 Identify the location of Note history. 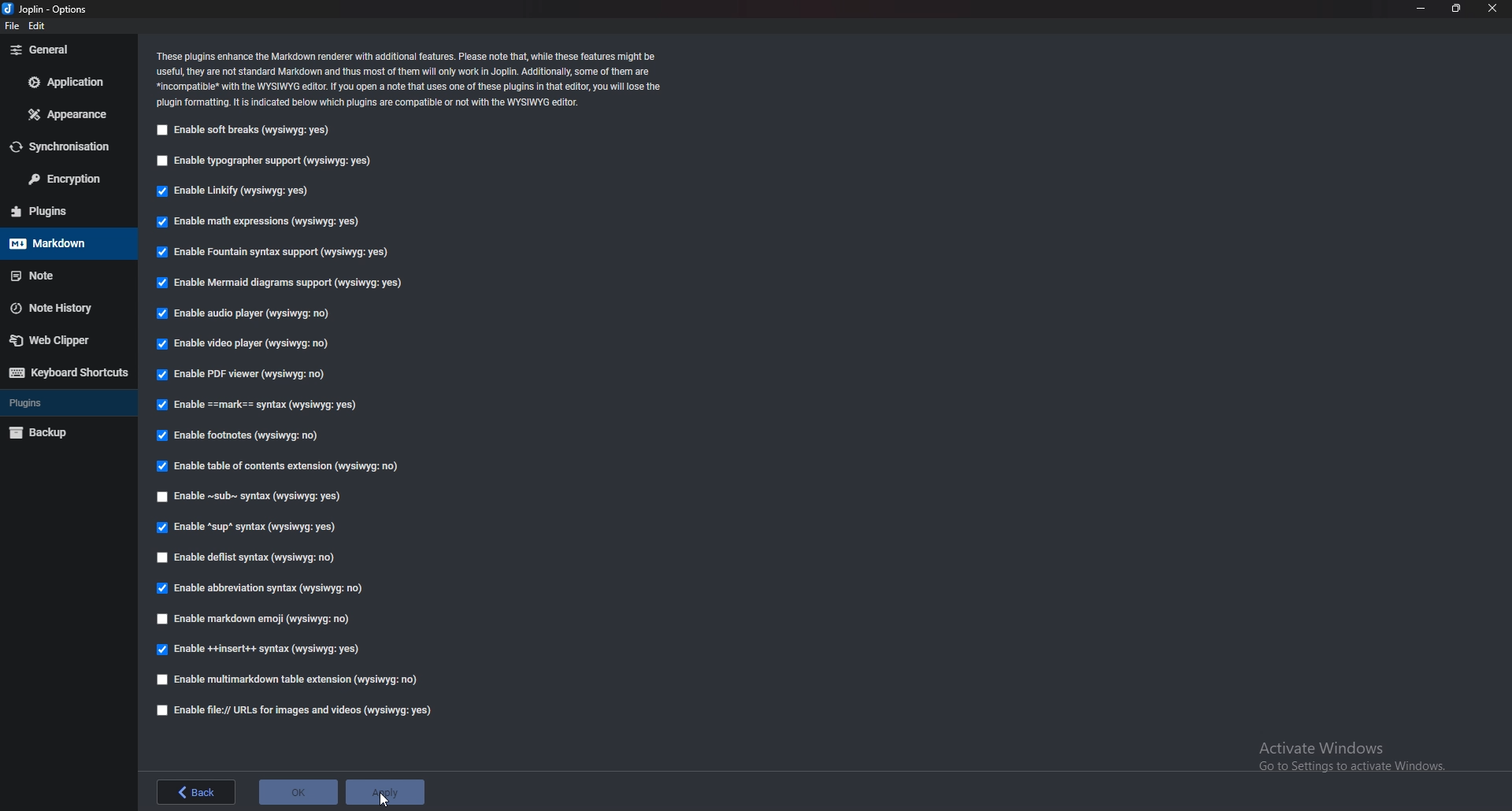
(62, 306).